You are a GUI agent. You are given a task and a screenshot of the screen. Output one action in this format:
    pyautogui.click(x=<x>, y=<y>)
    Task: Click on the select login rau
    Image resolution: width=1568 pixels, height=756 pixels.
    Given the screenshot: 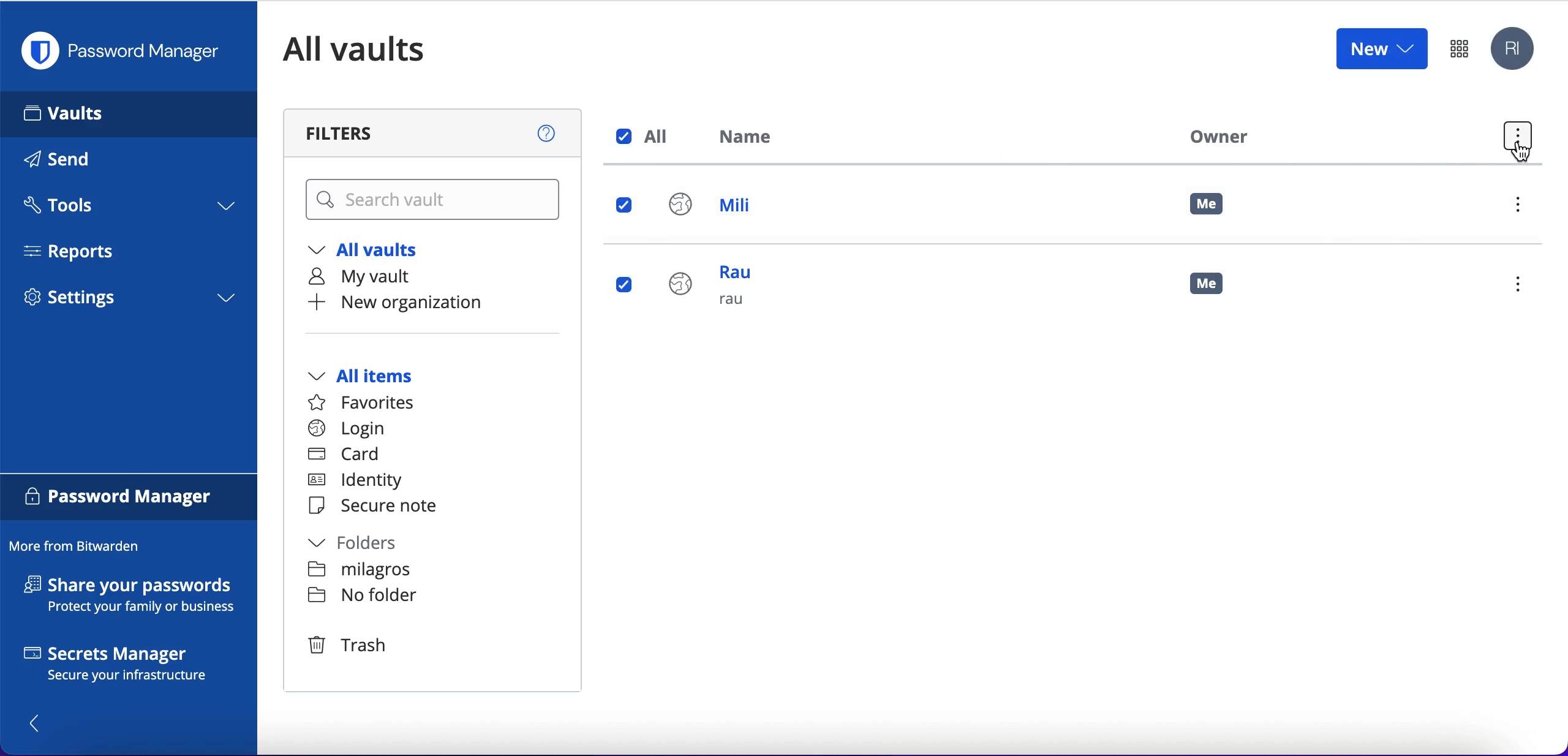 What is the action you would take?
    pyautogui.click(x=622, y=285)
    